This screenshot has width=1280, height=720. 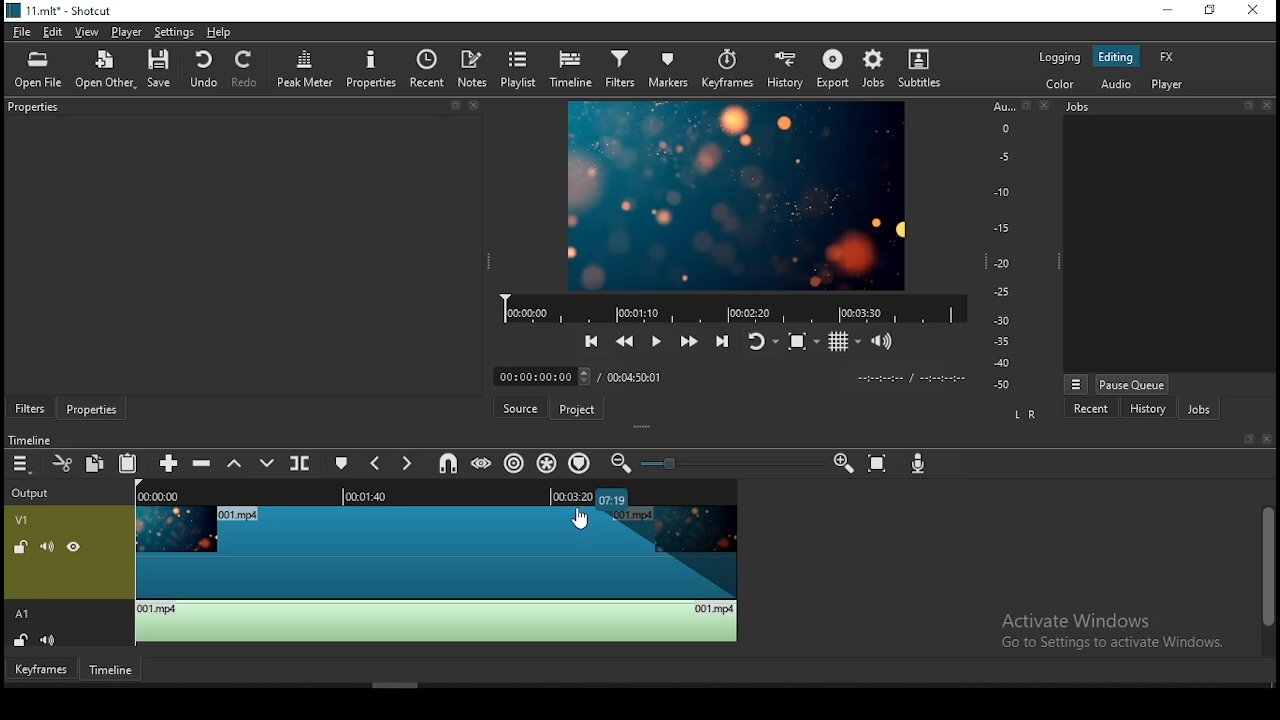 What do you see at coordinates (670, 67) in the screenshot?
I see `markers` at bounding box center [670, 67].